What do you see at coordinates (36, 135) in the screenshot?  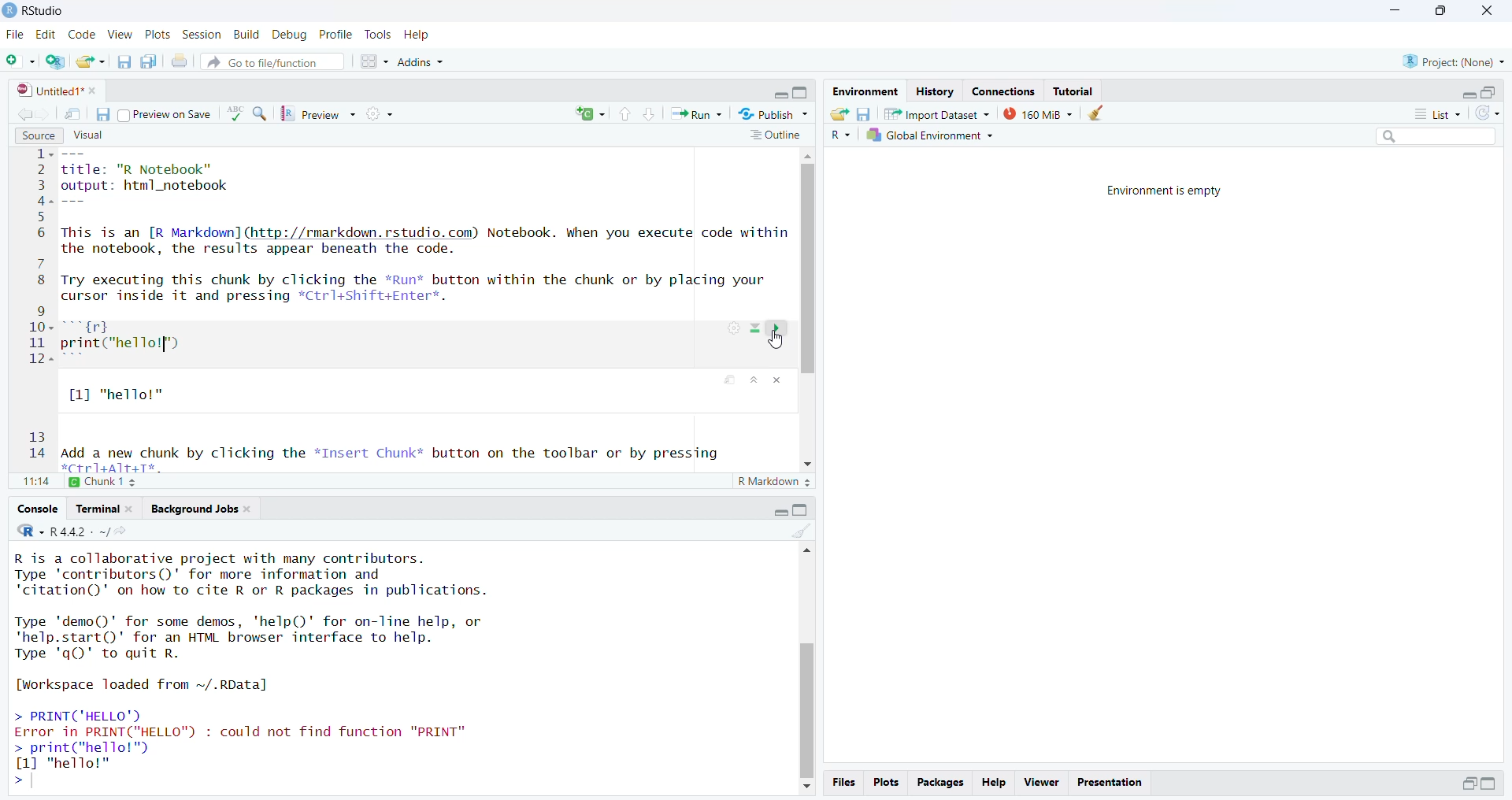 I see `source` at bounding box center [36, 135].